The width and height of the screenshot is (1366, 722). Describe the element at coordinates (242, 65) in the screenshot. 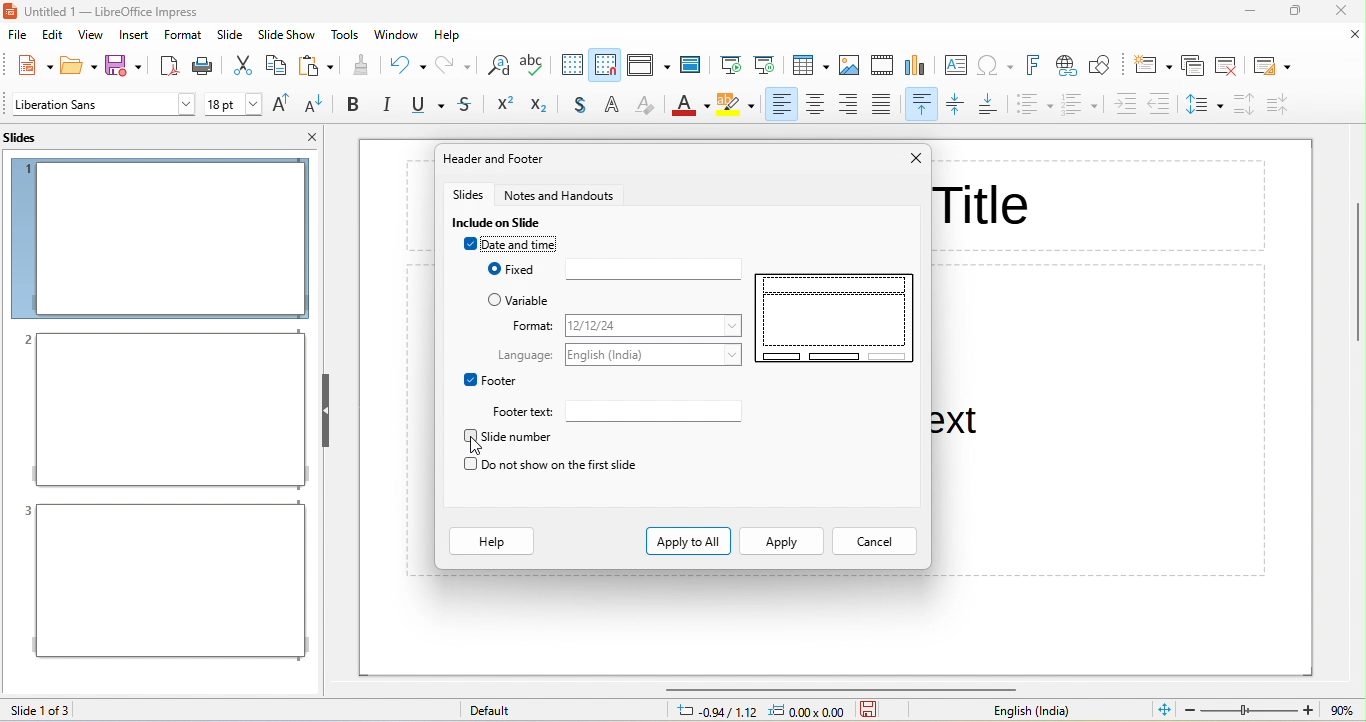

I see `cut` at that location.